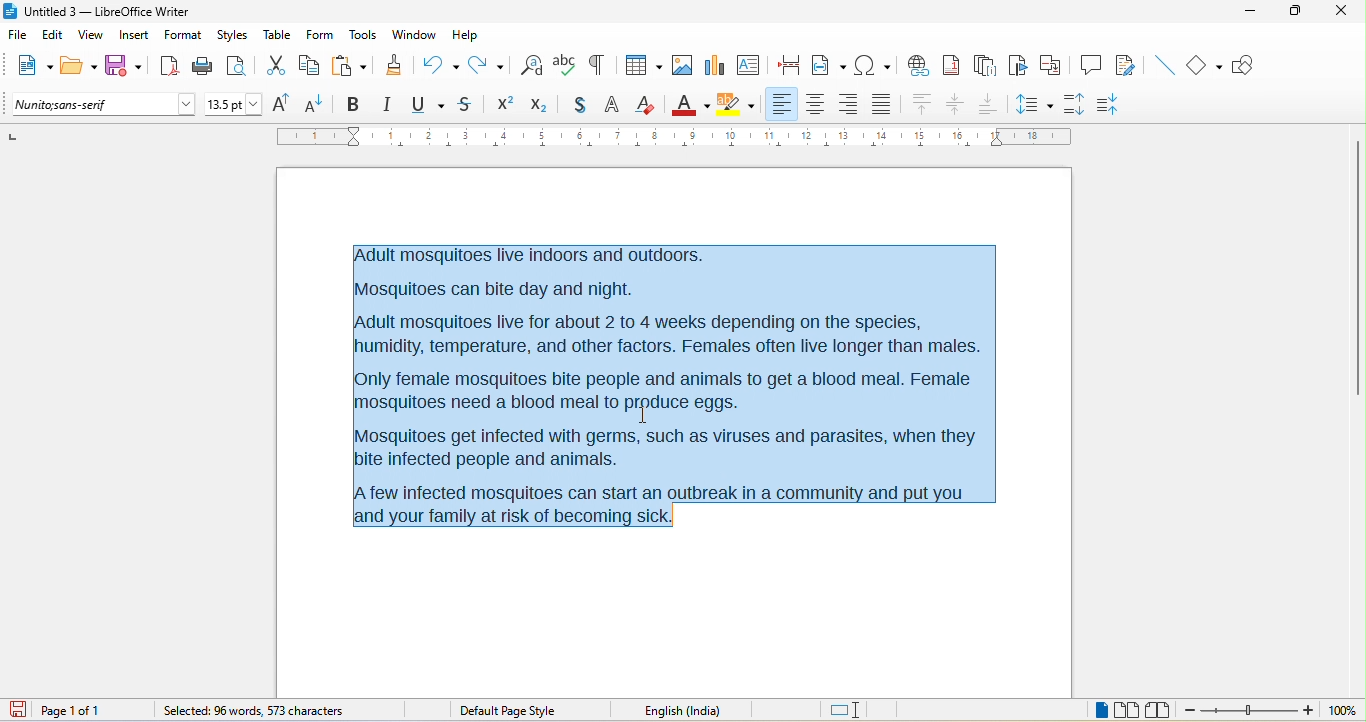  I want to click on show draw function, so click(1250, 66).